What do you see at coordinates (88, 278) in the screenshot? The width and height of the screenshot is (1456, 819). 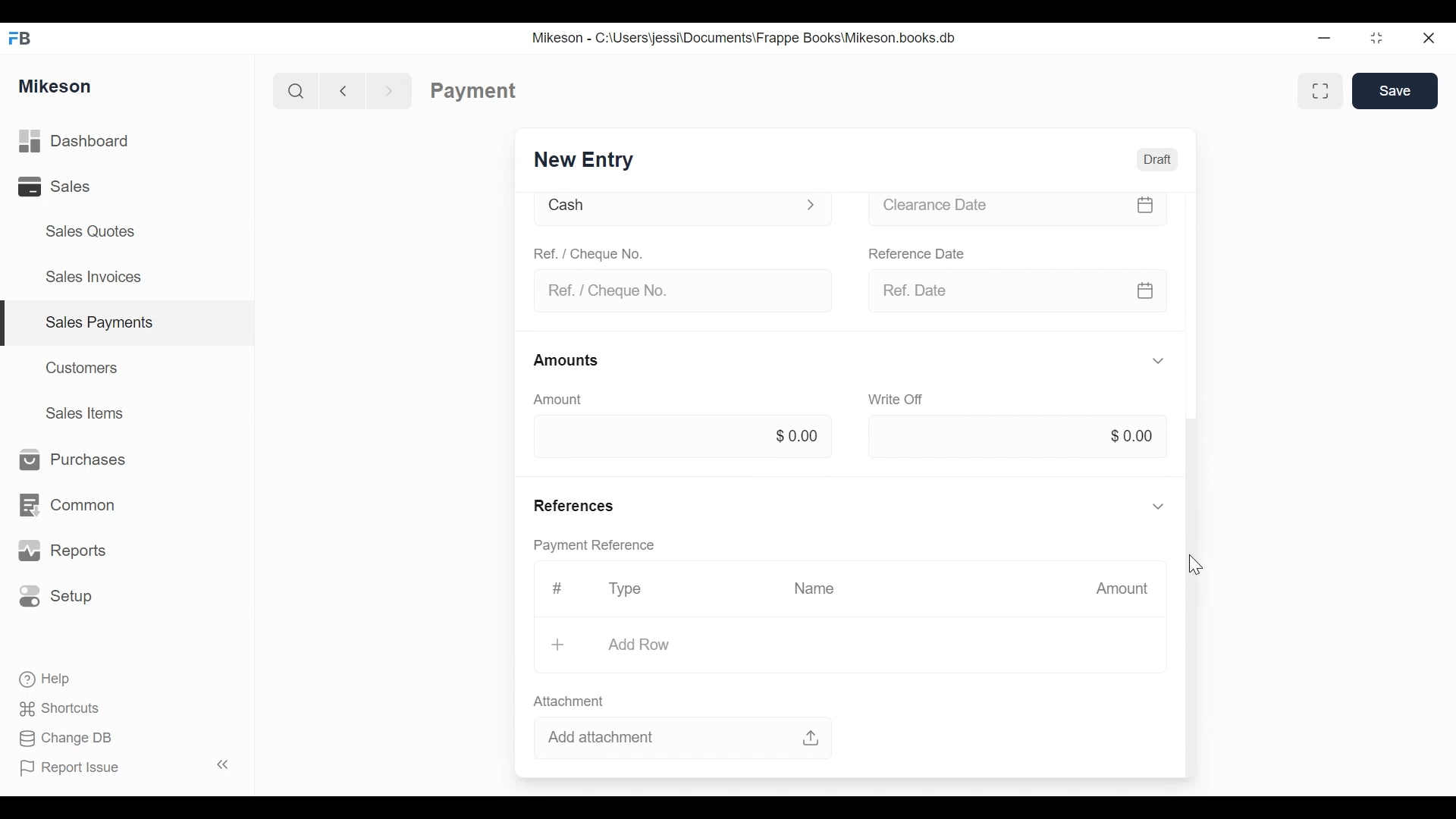 I see `Sales Invoices` at bounding box center [88, 278].